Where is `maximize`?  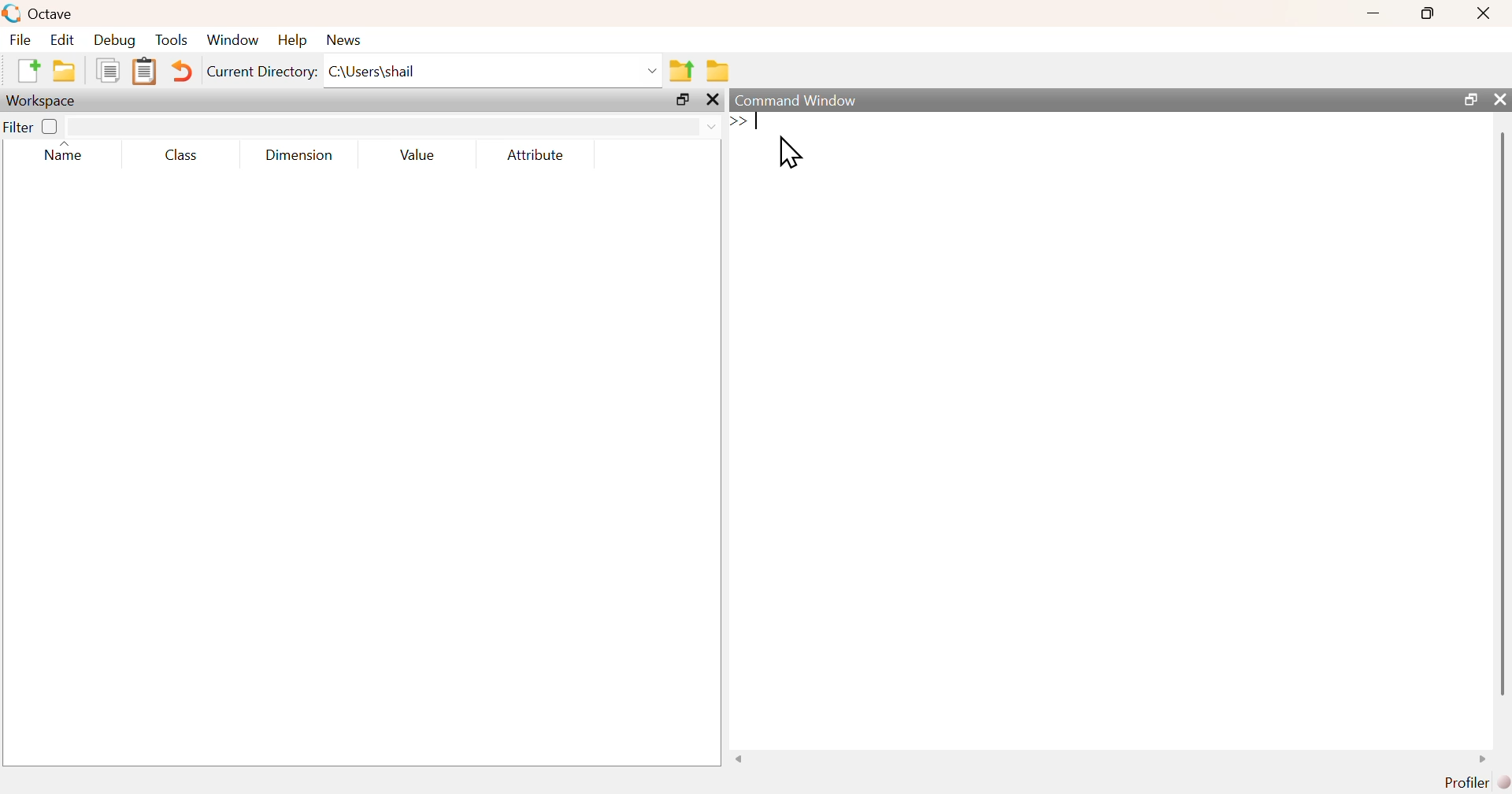
maximize is located at coordinates (1429, 13).